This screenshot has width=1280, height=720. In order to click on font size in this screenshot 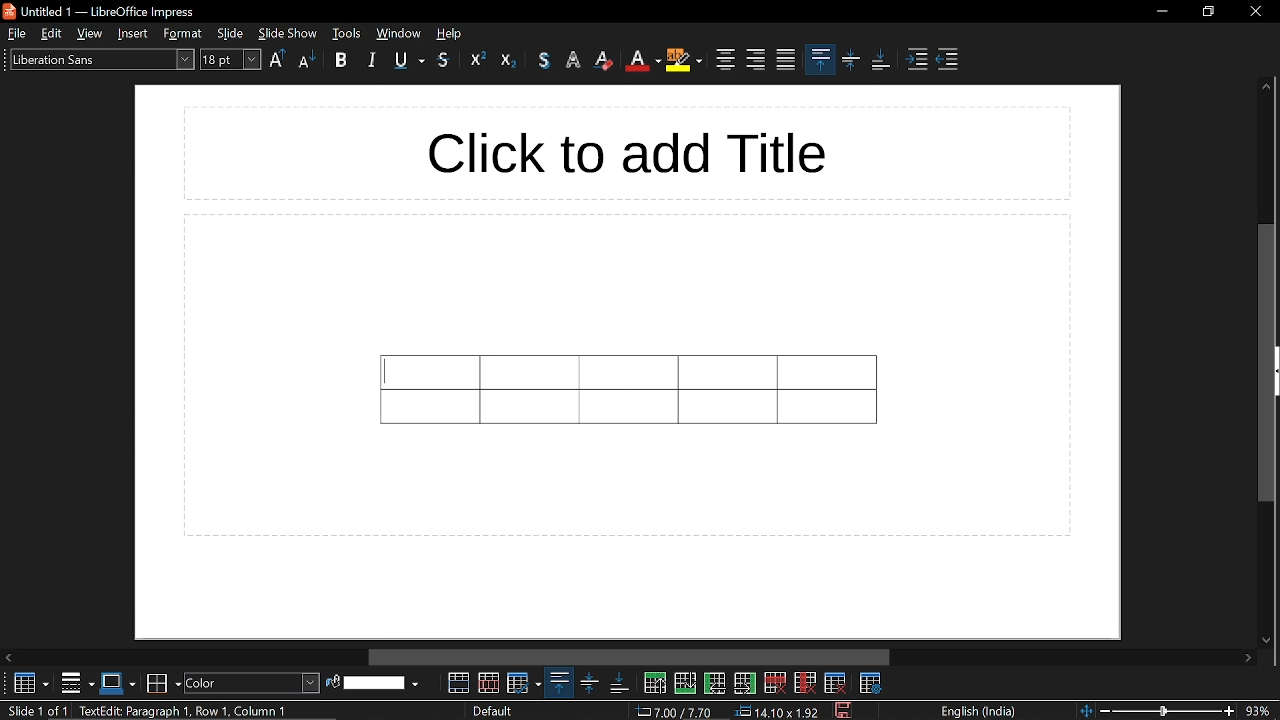, I will do `click(232, 59)`.